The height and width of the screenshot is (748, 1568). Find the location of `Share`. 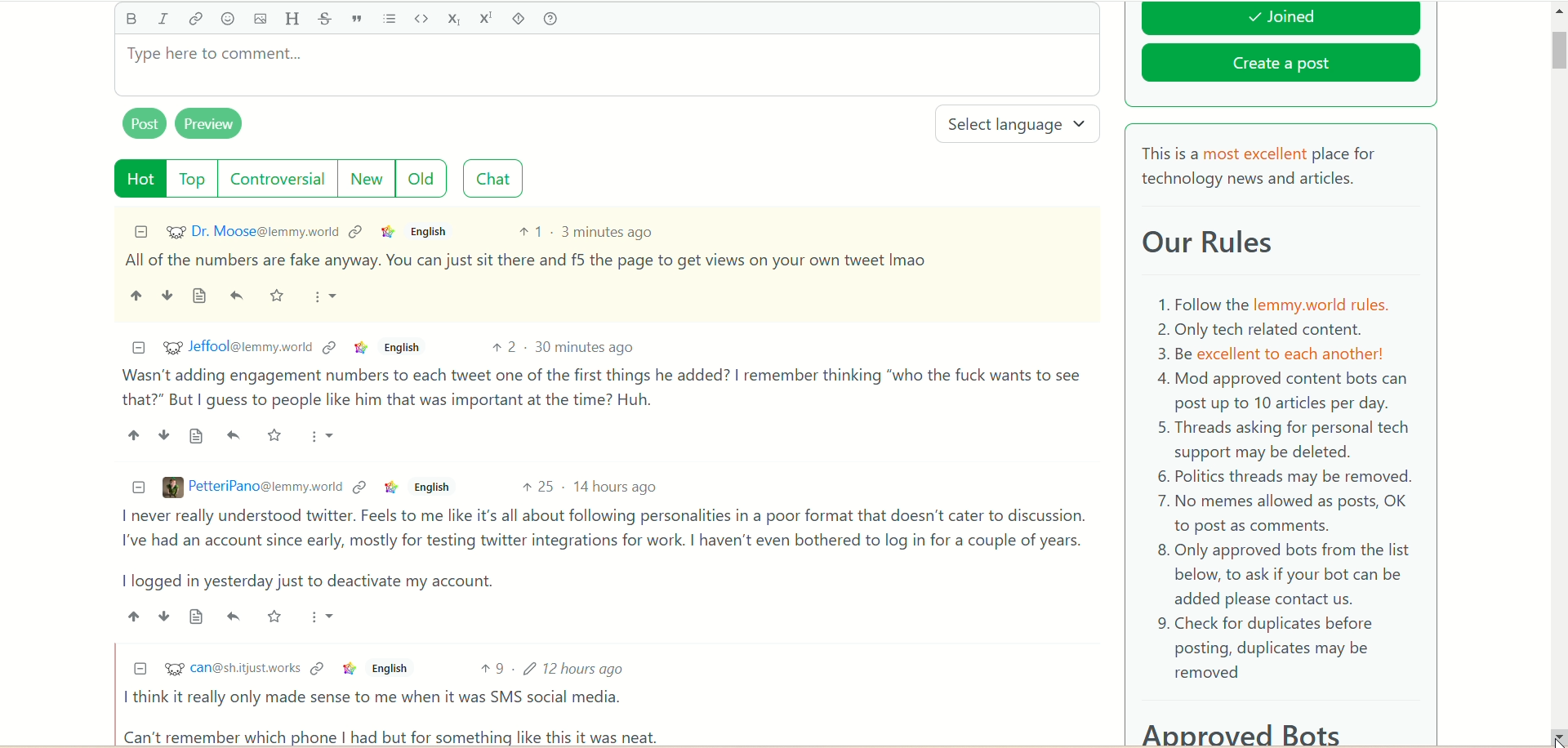

Share is located at coordinates (234, 615).